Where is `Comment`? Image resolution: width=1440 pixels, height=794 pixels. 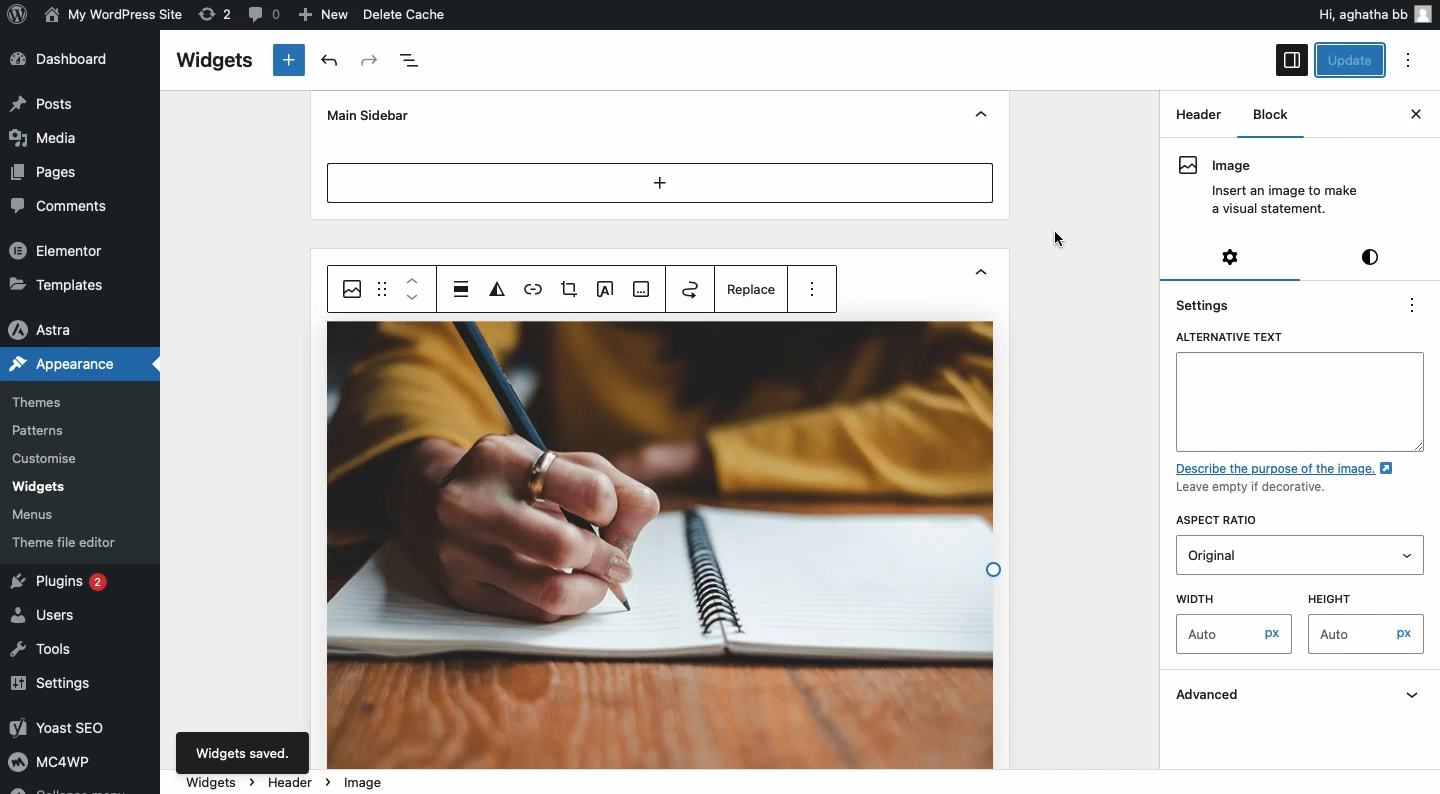 Comment is located at coordinates (261, 13).